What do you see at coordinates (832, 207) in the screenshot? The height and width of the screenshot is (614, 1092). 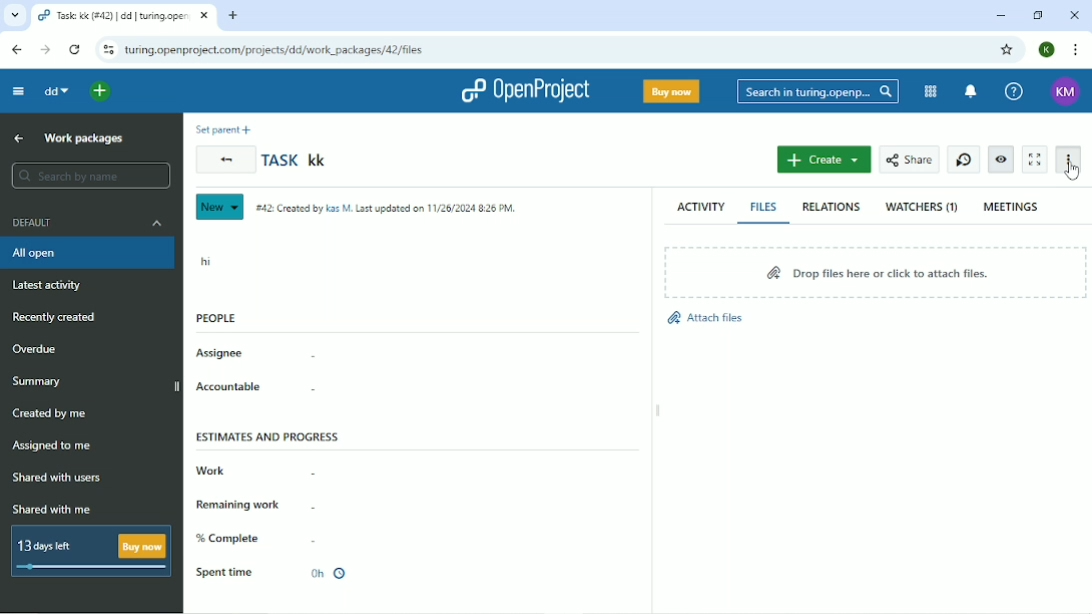 I see `Relations` at bounding box center [832, 207].